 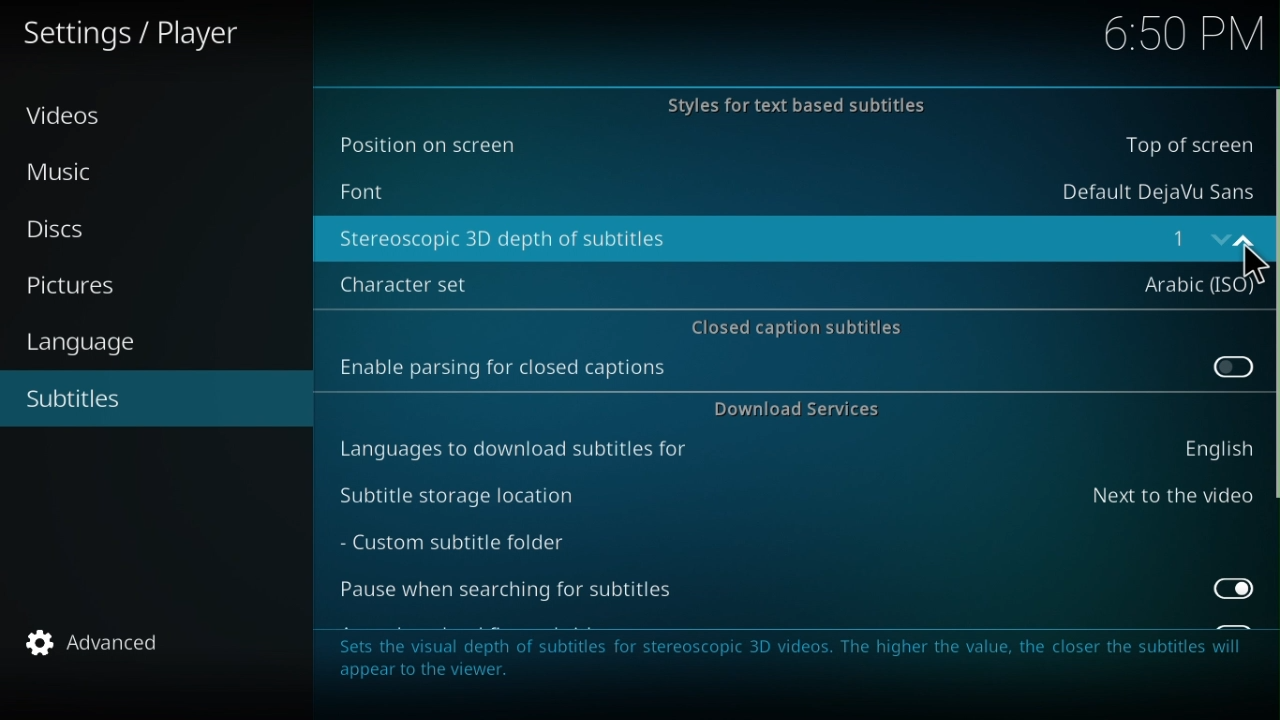 What do you see at coordinates (793, 372) in the screenshot?
I see `Enable parsing for closed captions` at bounding box center [793, 372].